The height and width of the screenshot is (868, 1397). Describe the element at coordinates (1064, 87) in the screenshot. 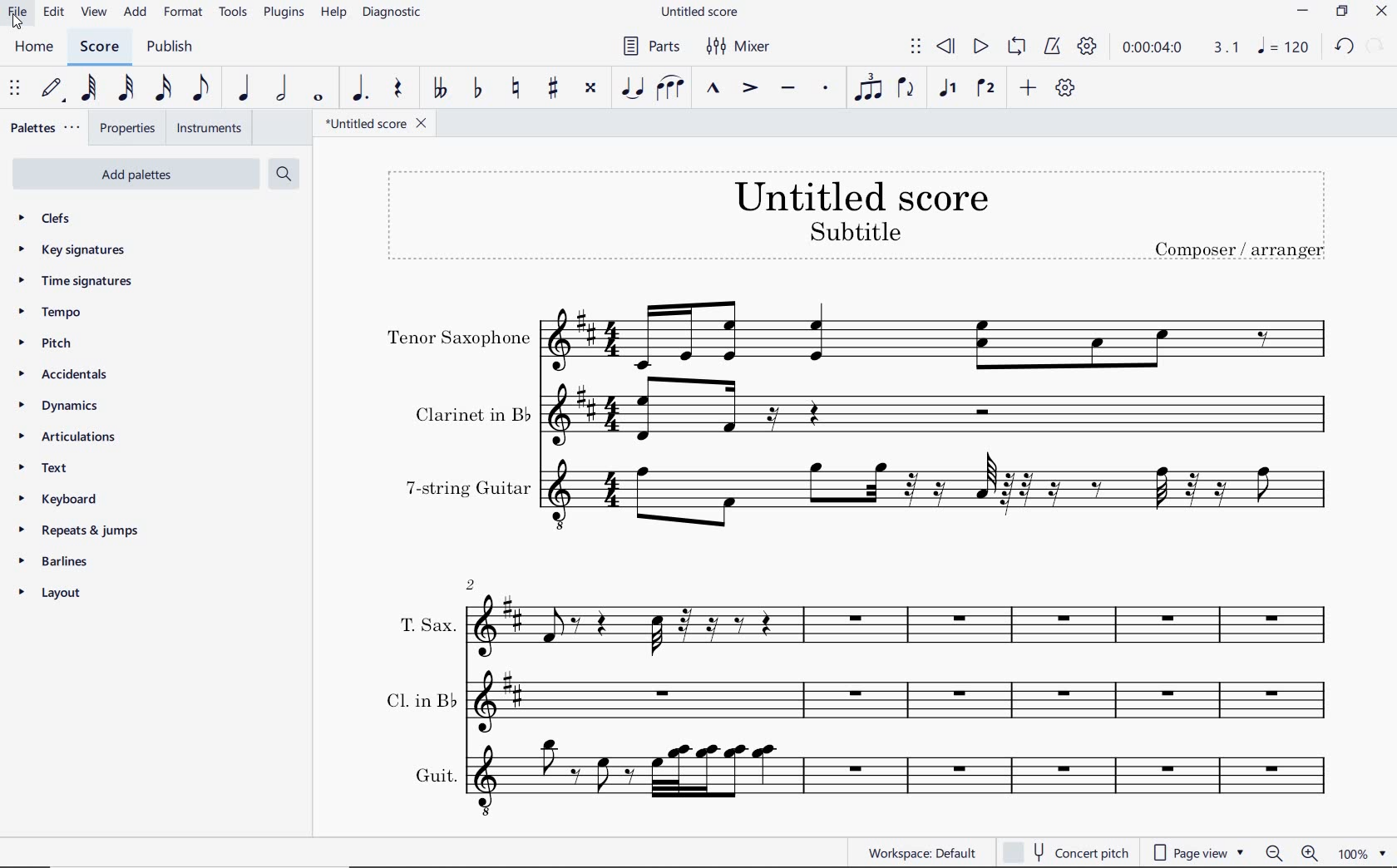

I see `CUSTOMIZE TOOLBAR` at that location.